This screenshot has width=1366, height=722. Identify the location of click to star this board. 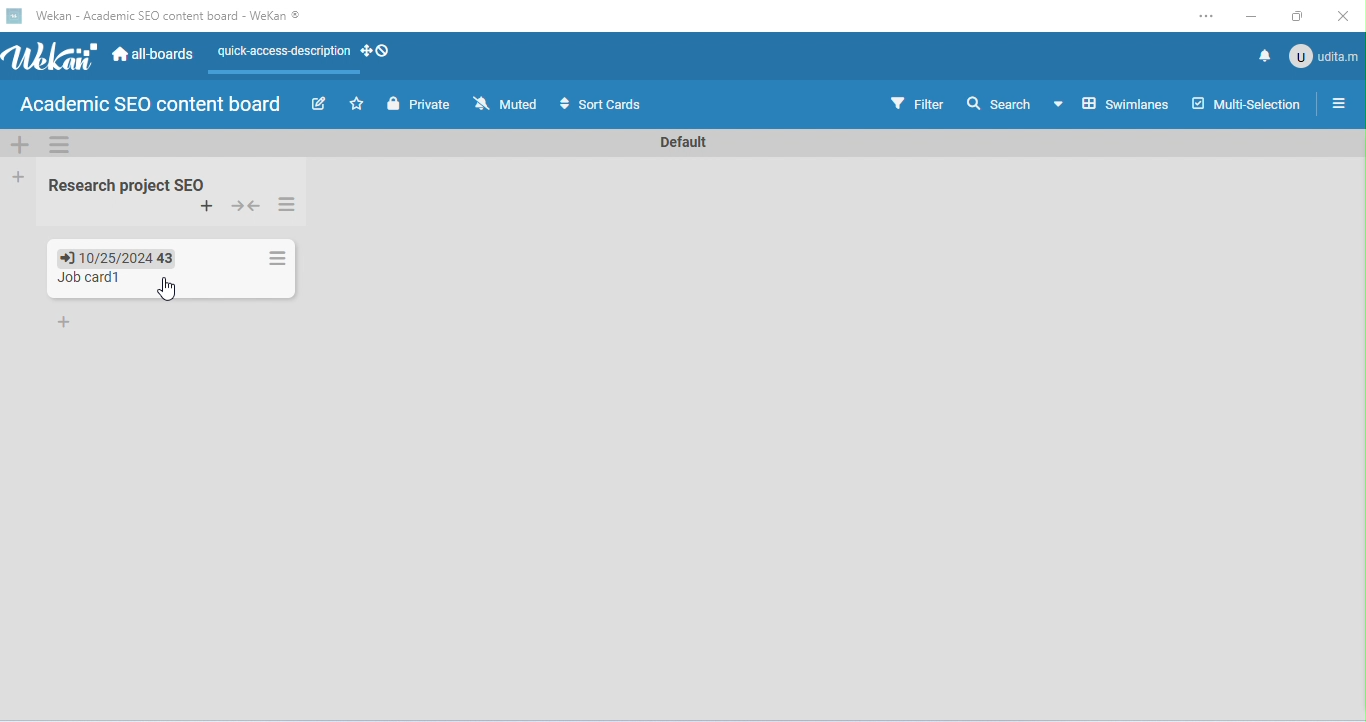
(356, 104).